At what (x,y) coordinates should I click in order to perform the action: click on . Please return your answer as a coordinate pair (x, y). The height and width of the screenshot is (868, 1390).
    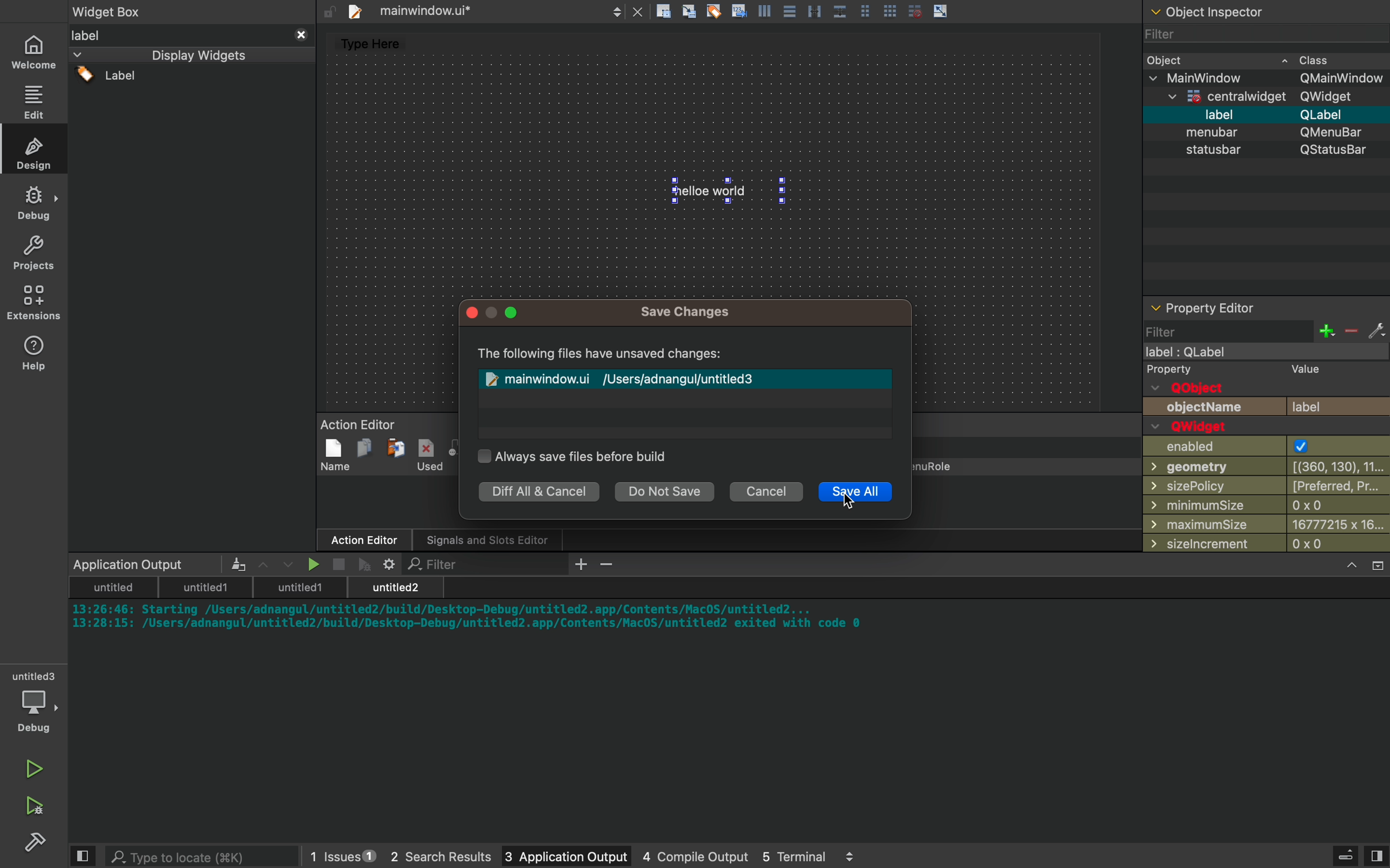
    Looking at the image, I should click on (364, 541).